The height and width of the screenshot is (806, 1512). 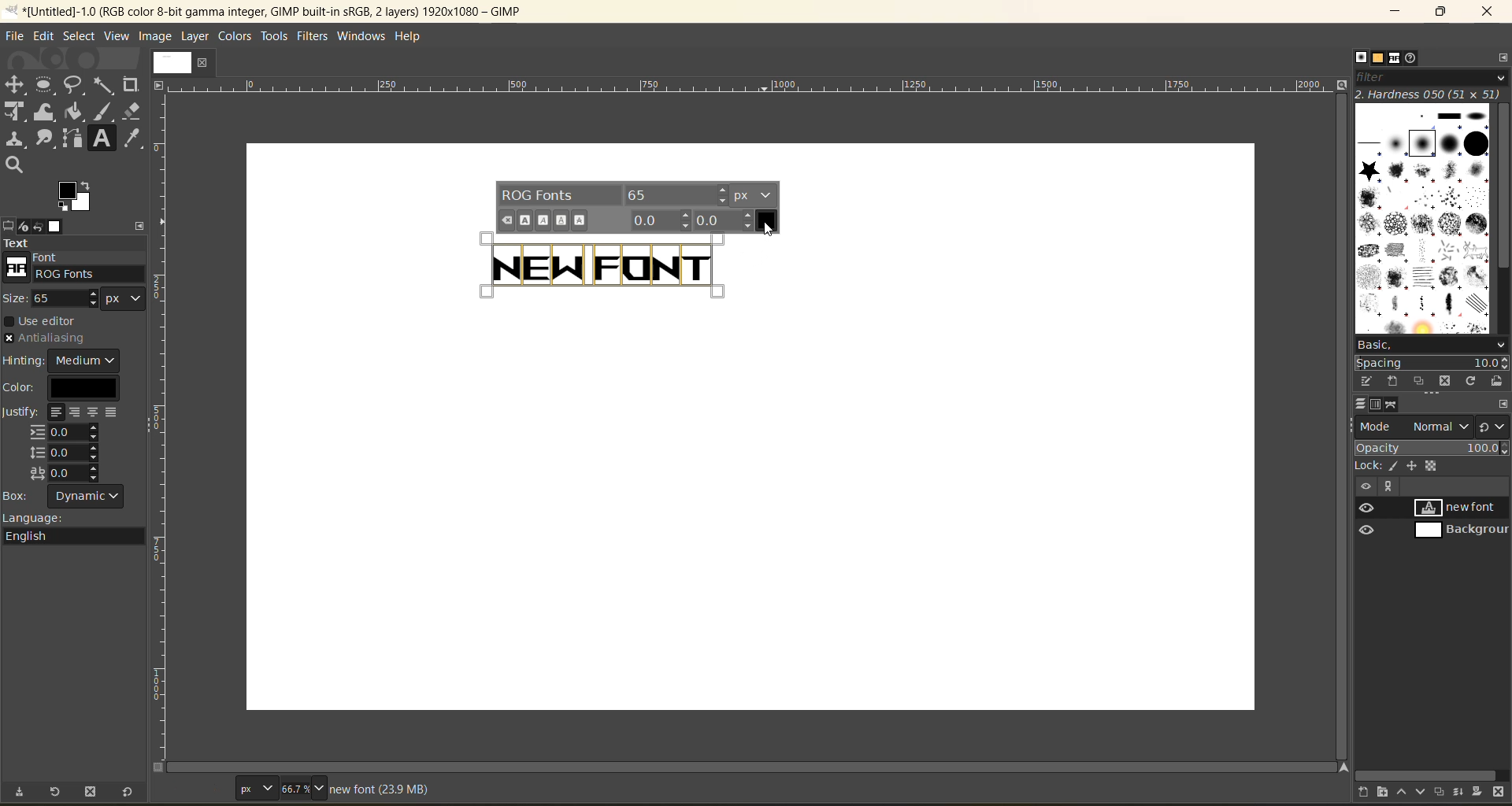 I want to click on hinting, so click(x=64, y=360).